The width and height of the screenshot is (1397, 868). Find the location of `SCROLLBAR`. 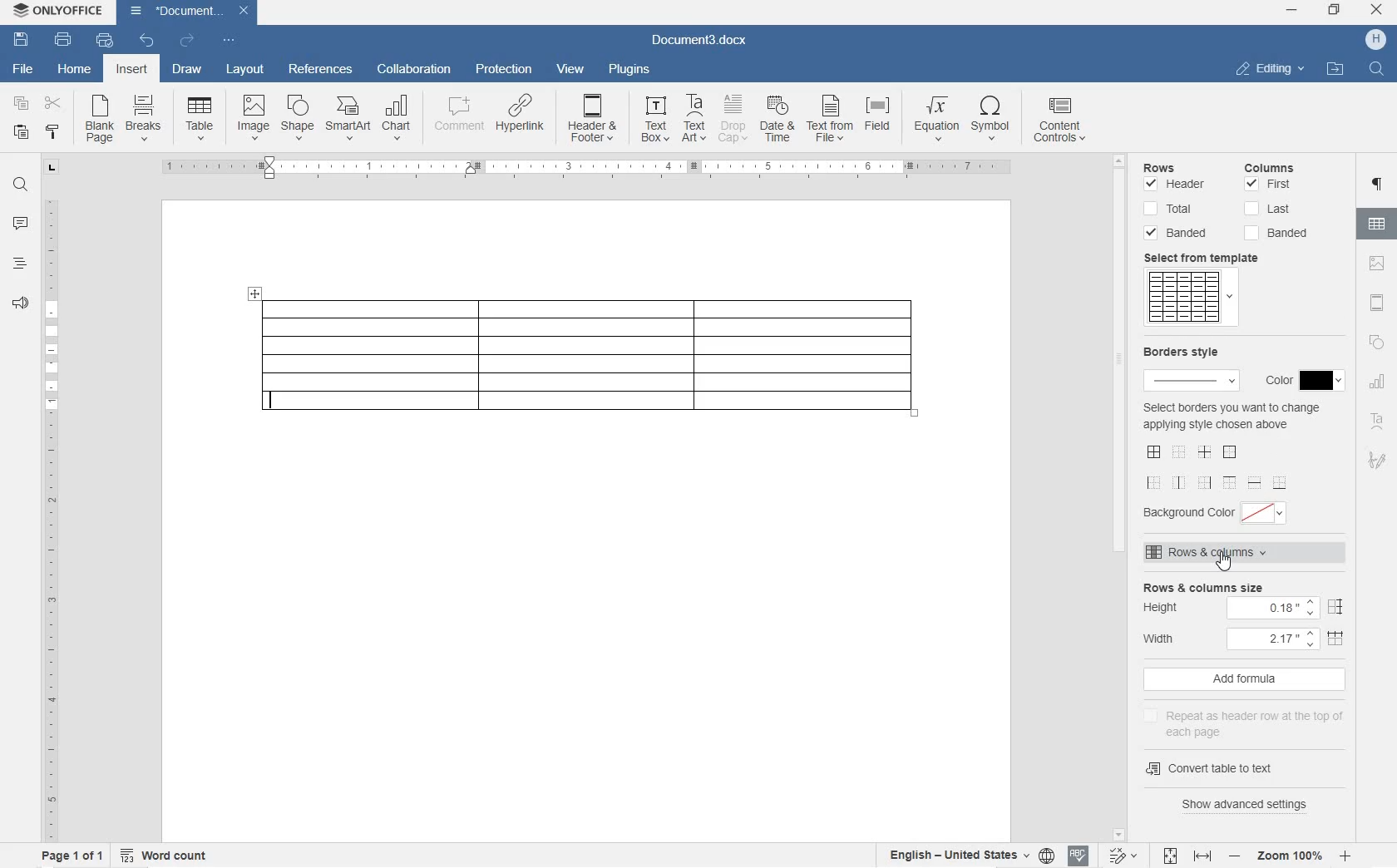

SCROLLBAR is located at coordinates (1118, 499).